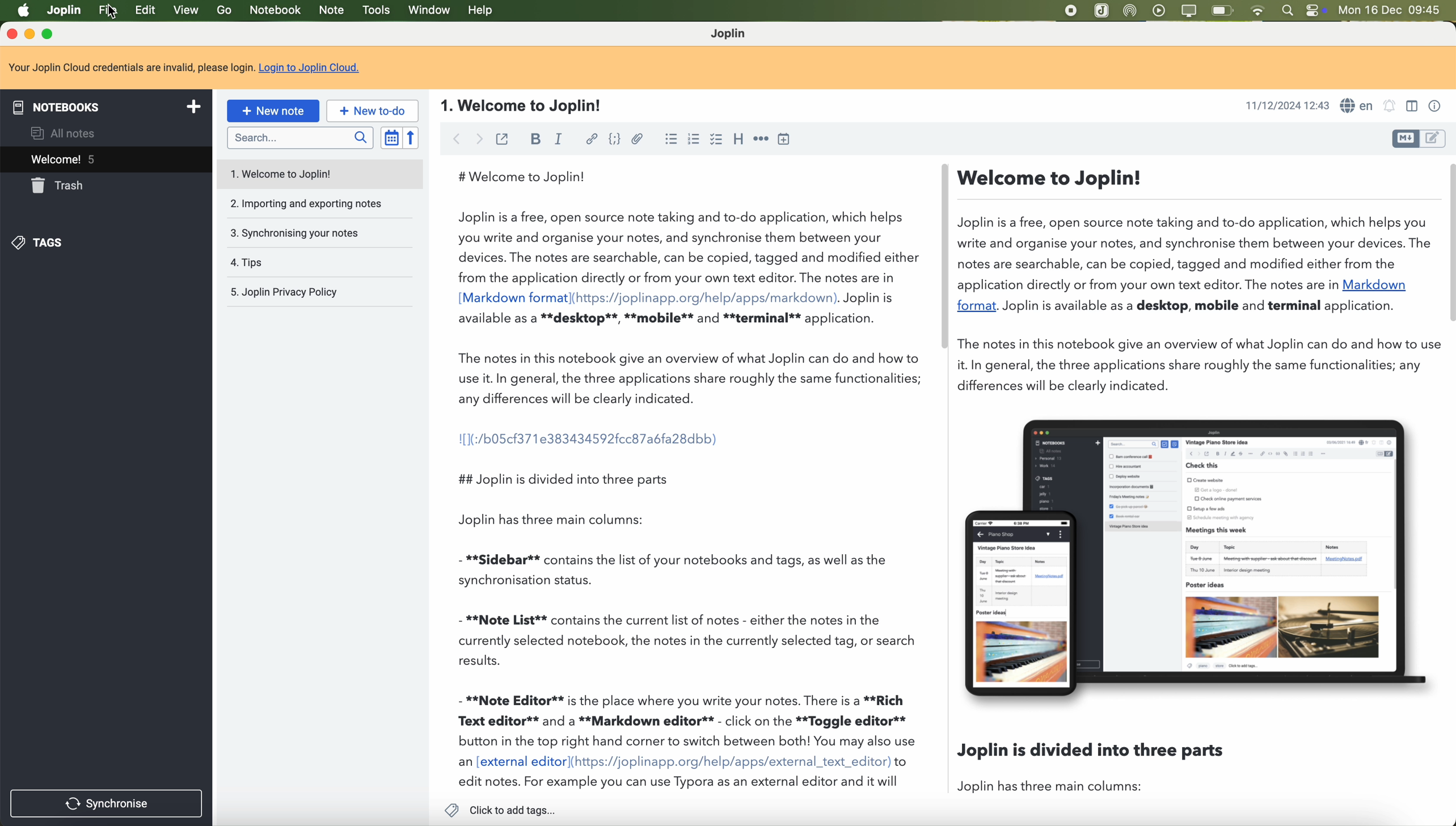 Image resolution: width=1456 pixels, height=826 pixels. I want to click on Login to Joplin Cloud., so click(311, 69).